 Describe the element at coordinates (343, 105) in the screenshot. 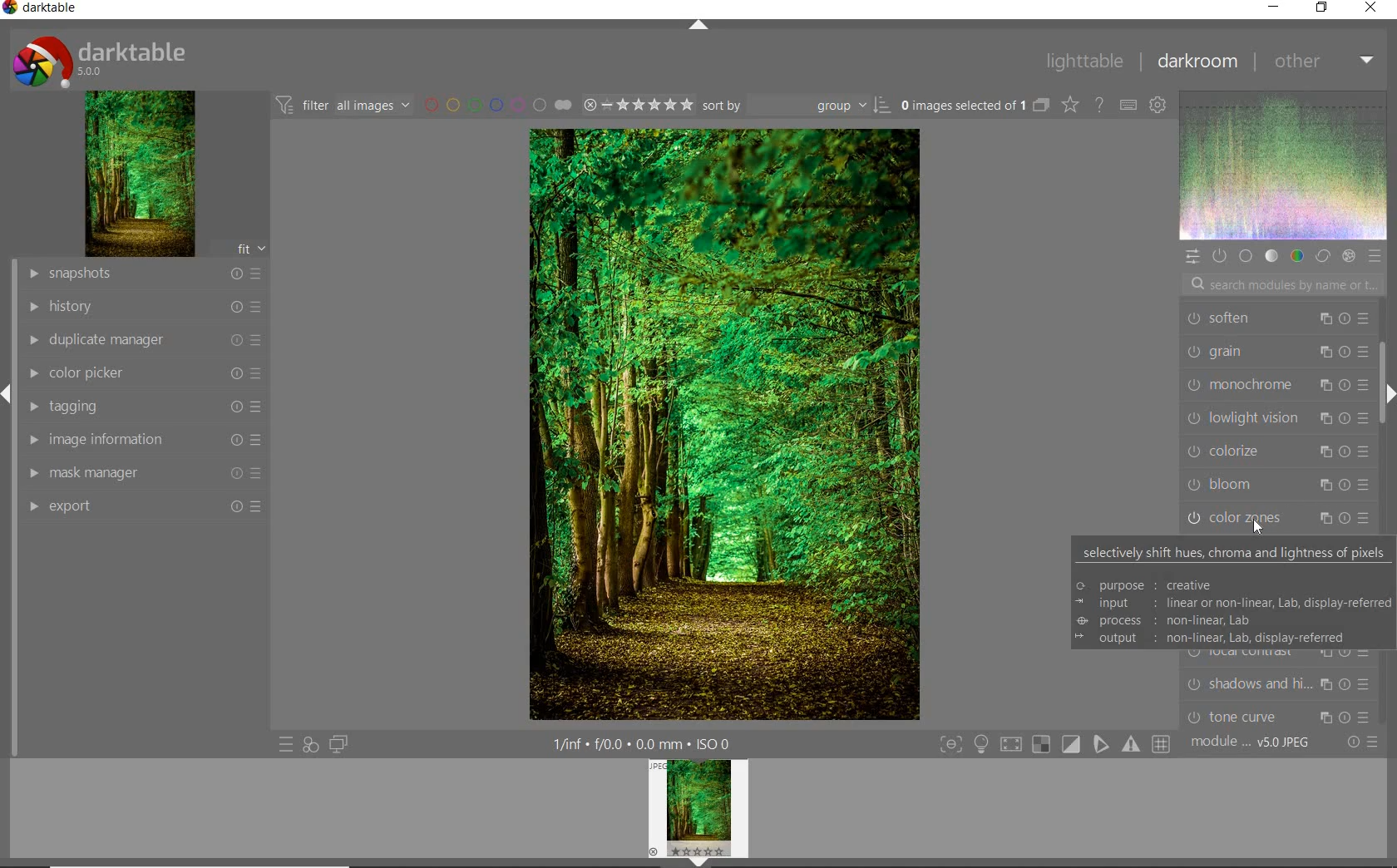

I see `FILTER IMAGES` at that location.